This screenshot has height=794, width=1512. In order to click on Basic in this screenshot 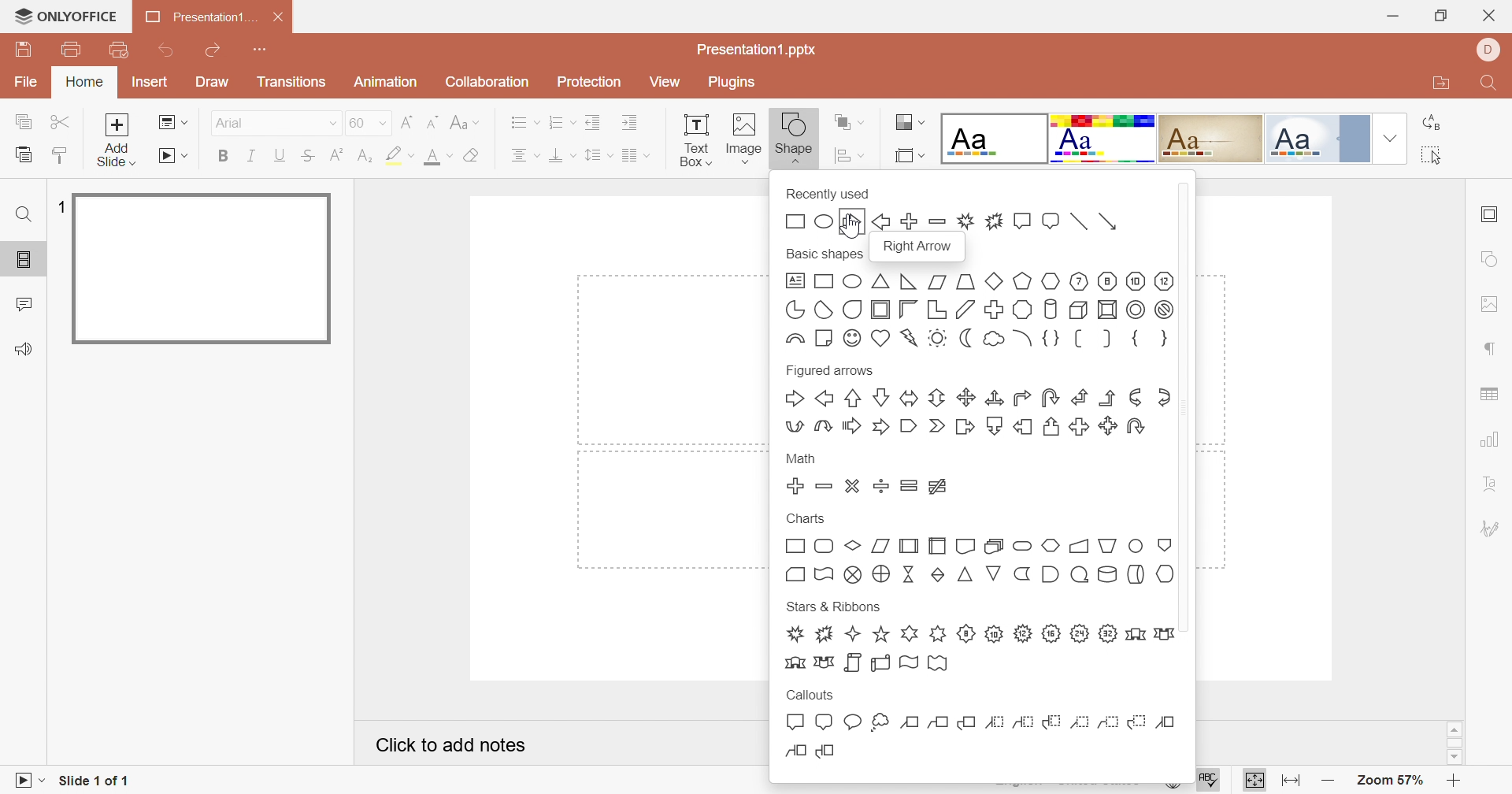, I will do `click(1105, 141)`.